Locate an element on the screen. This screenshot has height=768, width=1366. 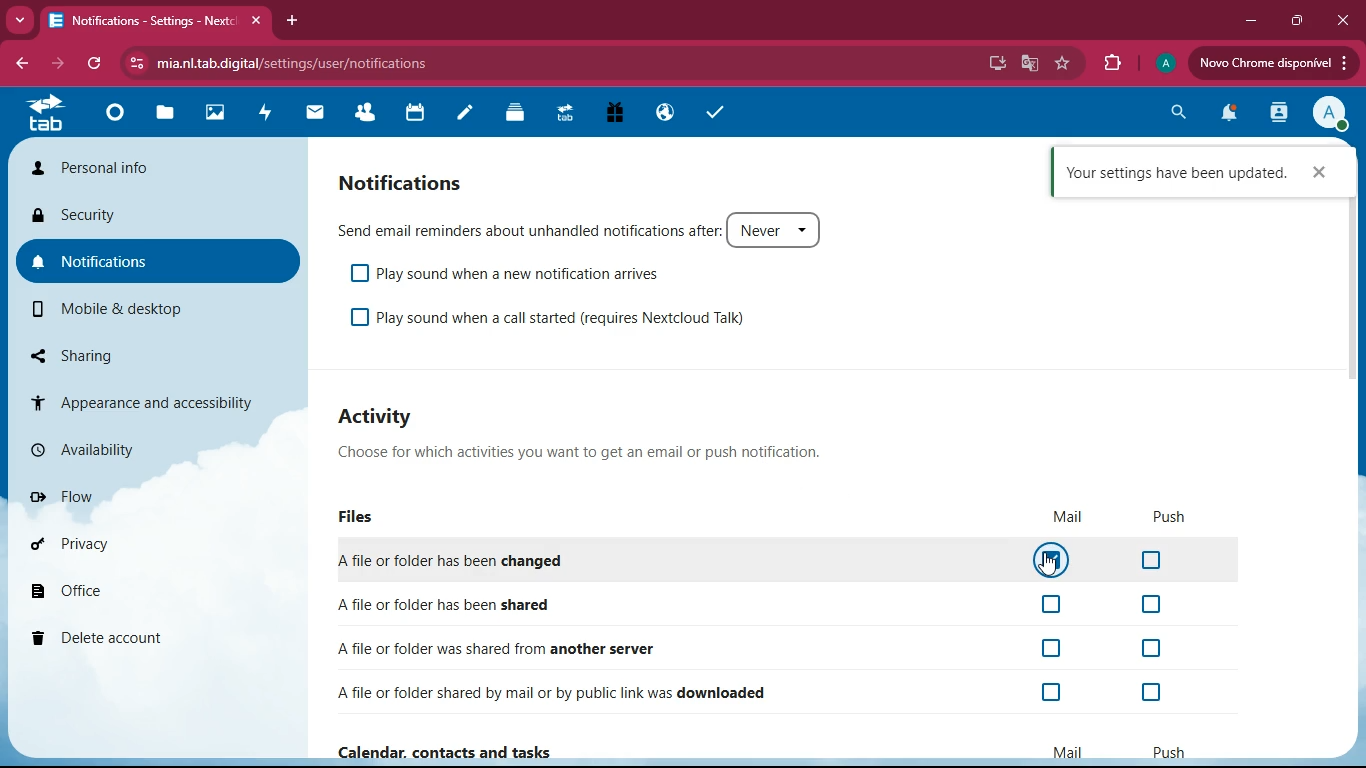
files is located at coordinates (166, 115).